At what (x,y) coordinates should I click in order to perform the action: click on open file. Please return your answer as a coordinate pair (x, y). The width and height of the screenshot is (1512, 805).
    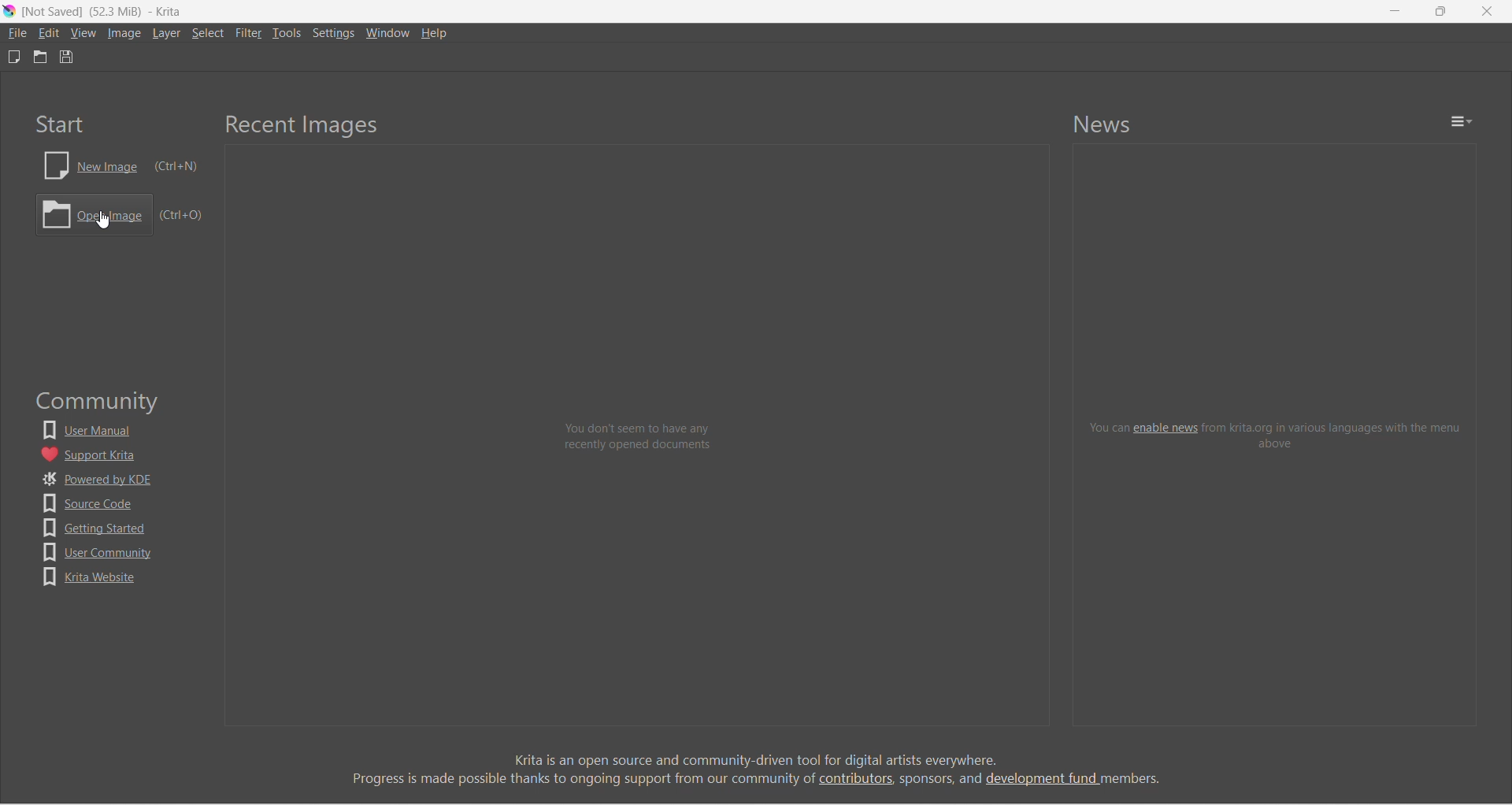
    Looking at the image, I should click on (40, 57).